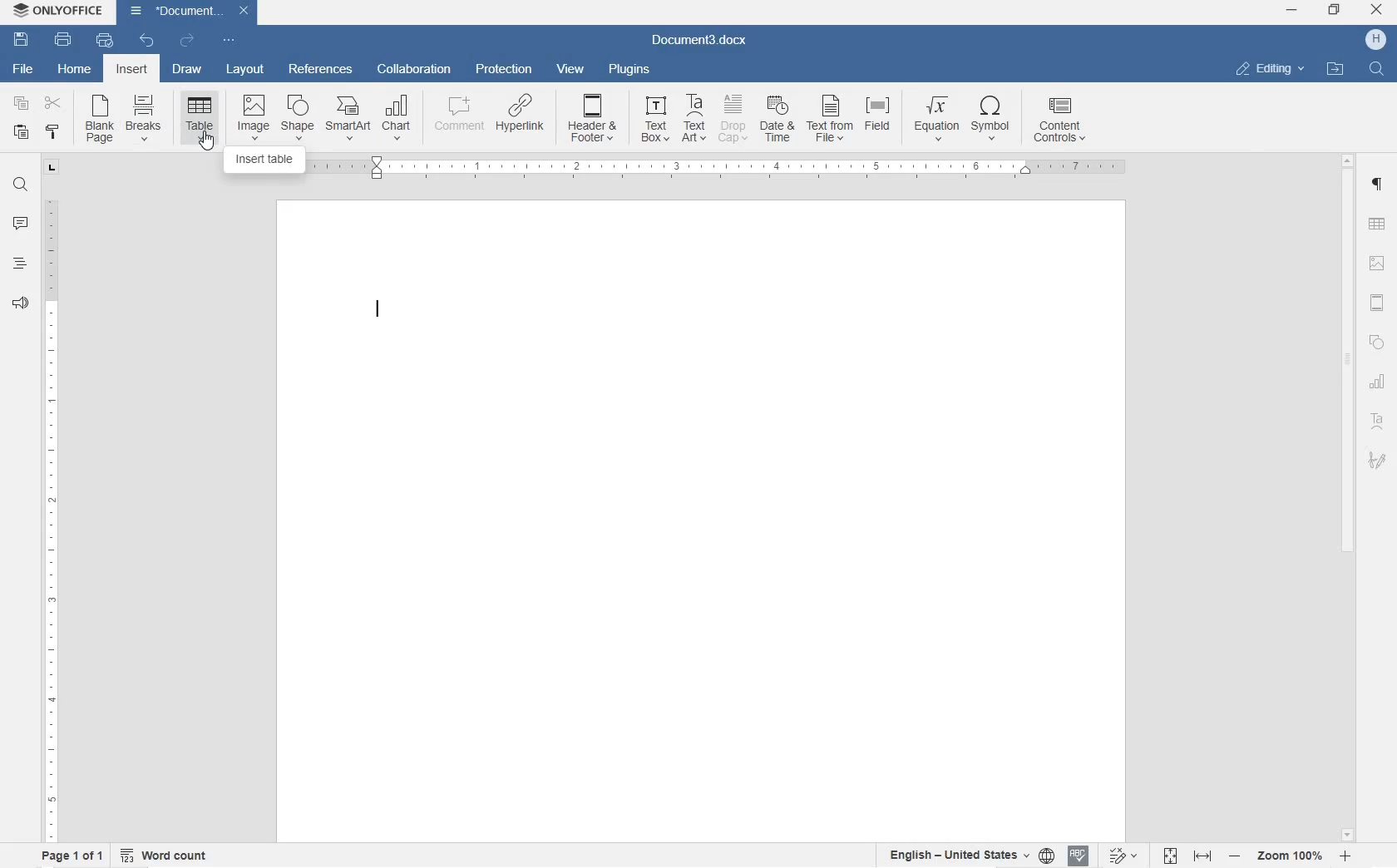 Image resolution: width=1397 pixels, height=868 pixels. I want to click on COPY STYLE, so click(54, 134).